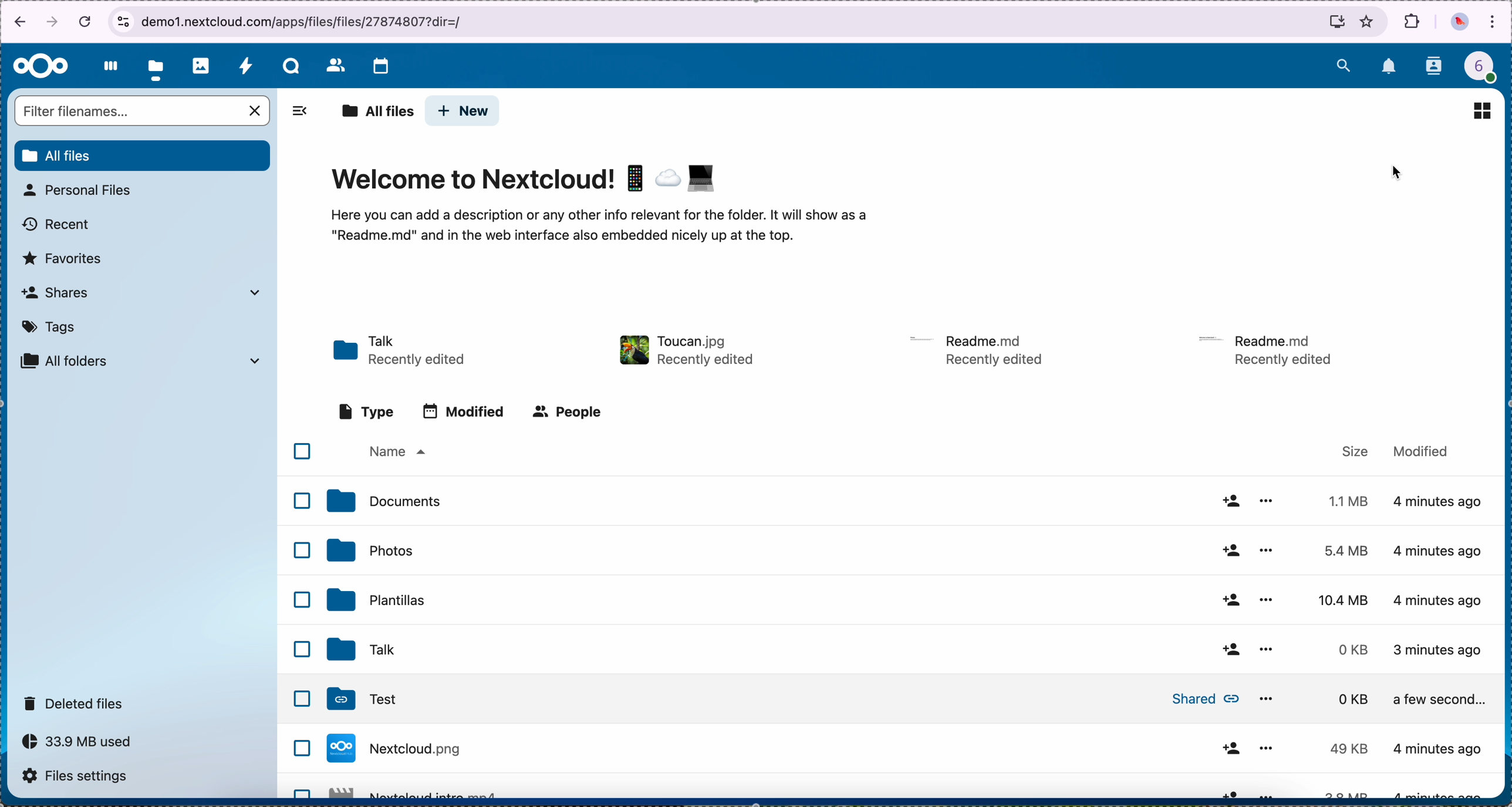 This screenshot has height=807, width=1512. What do you see at coordinates (1399, 173) in the screenshot?
I see `pointer` at bounding box center [1399, 173].